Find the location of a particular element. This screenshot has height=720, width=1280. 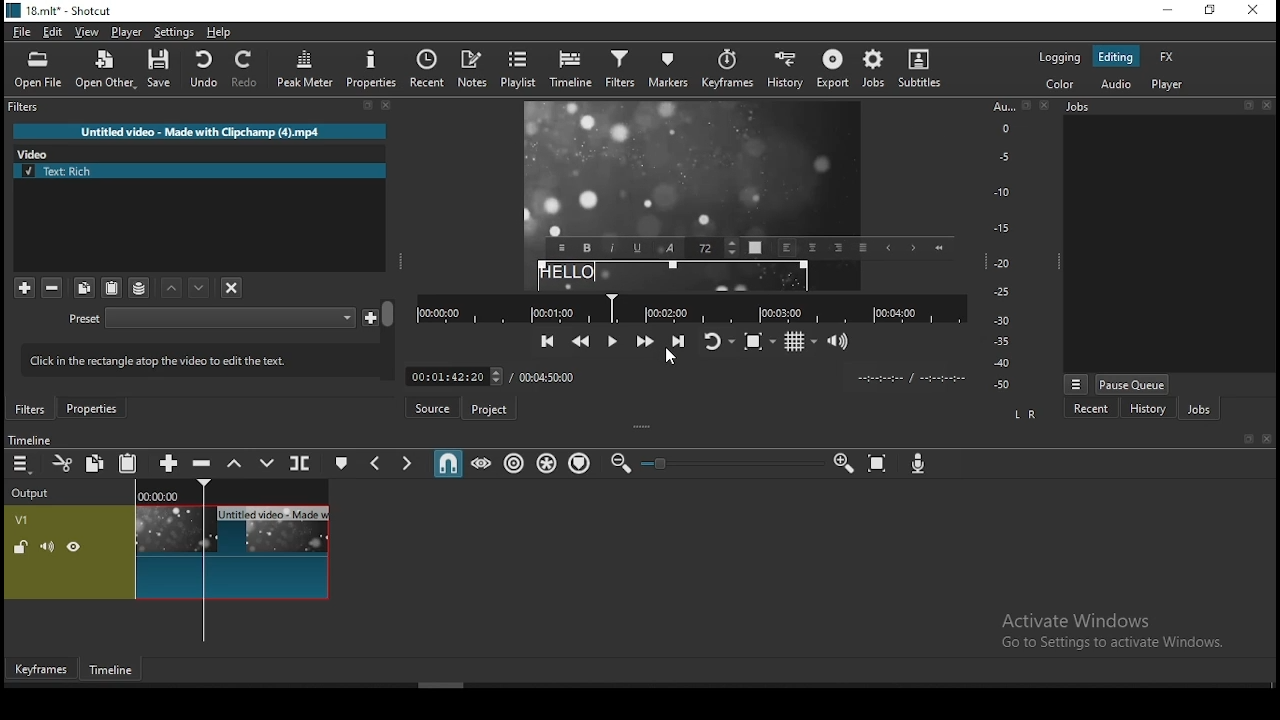

export is located at coordinates (831, 72).